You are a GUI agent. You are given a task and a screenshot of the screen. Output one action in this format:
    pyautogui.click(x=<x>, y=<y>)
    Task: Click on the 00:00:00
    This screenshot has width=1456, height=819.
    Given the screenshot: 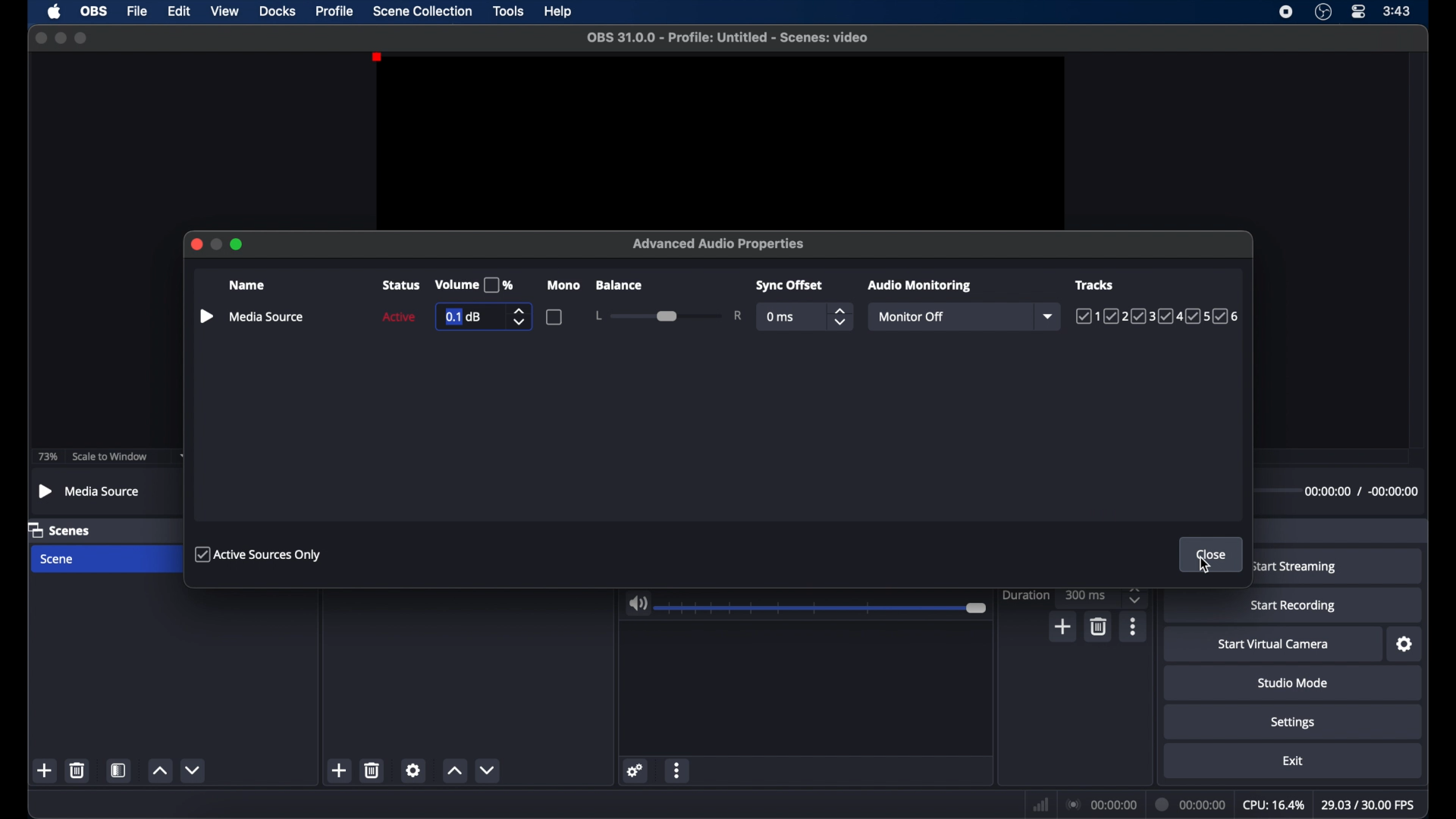 What is the action you would take?
    pyautogui.click(x=1103, y=805)
    